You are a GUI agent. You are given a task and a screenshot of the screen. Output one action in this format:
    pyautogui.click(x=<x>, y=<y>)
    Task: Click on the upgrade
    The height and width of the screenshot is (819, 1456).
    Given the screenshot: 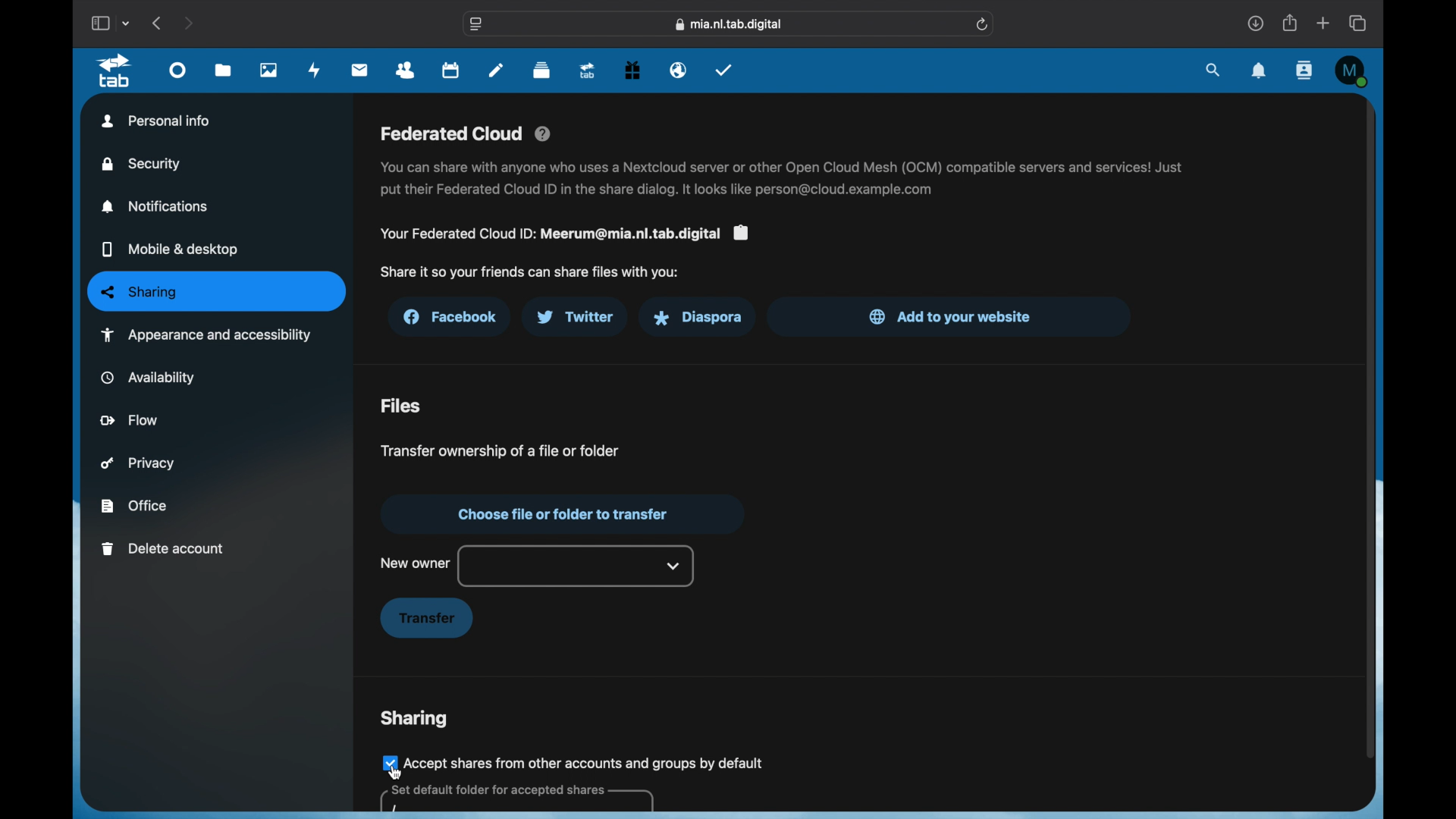 What is the action you would take?
    pyautogui.click(x=588, y=71)
    